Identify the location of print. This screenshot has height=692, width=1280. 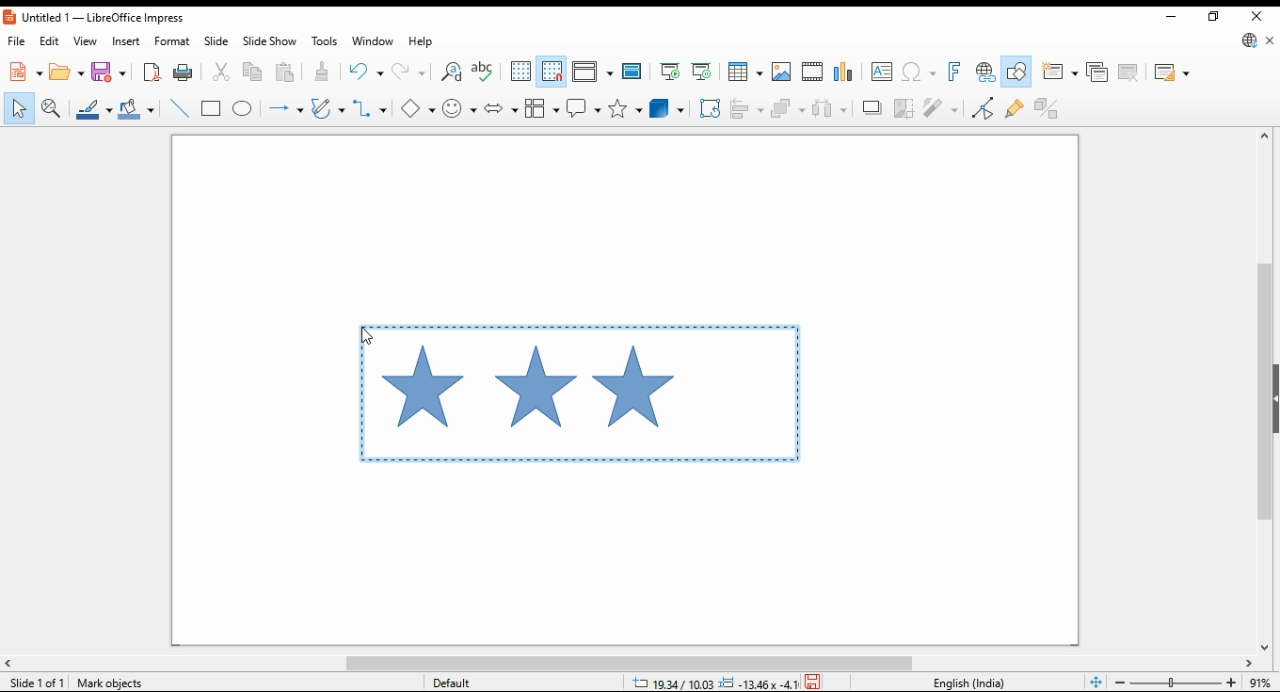
(182, 72).